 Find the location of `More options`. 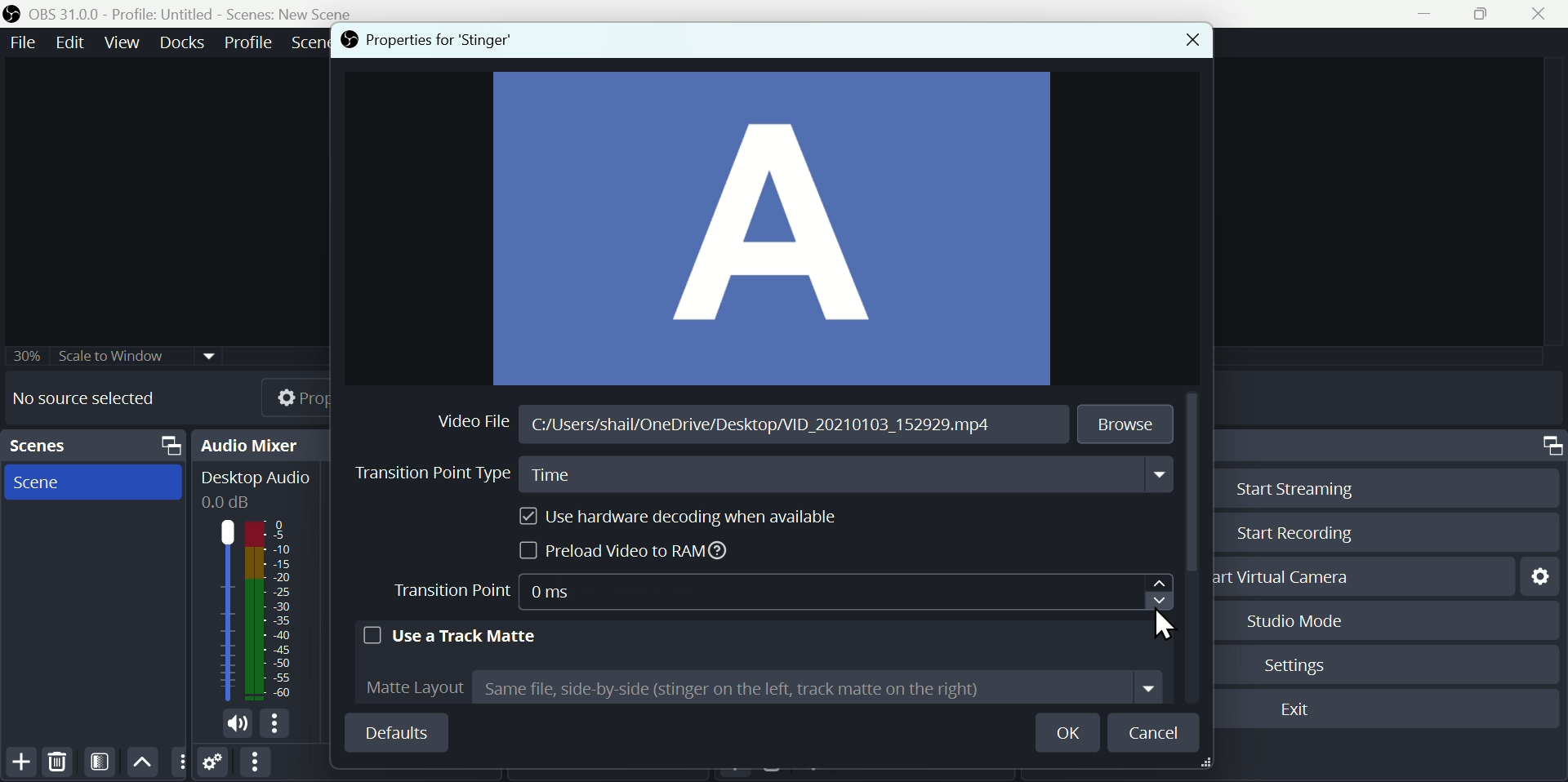

More options is located at coordinates (254, 763).